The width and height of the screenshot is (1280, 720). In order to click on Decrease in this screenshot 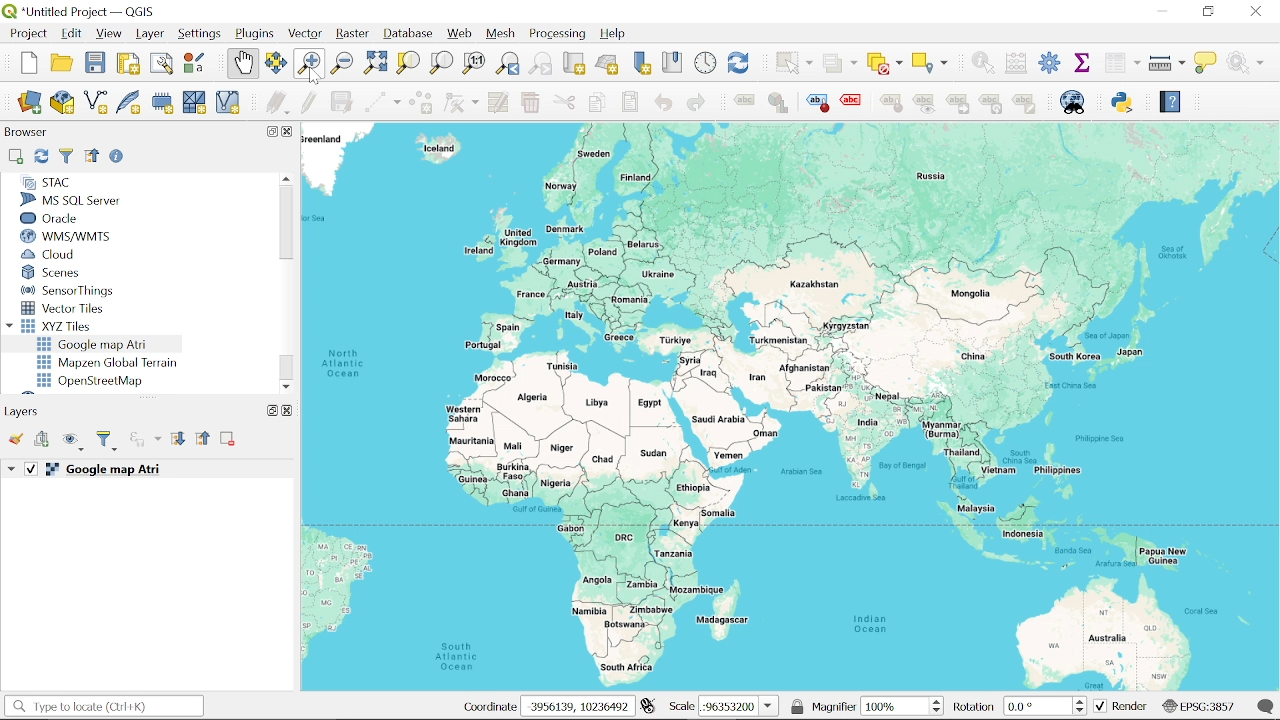, I will do `click(1083, 711)`.